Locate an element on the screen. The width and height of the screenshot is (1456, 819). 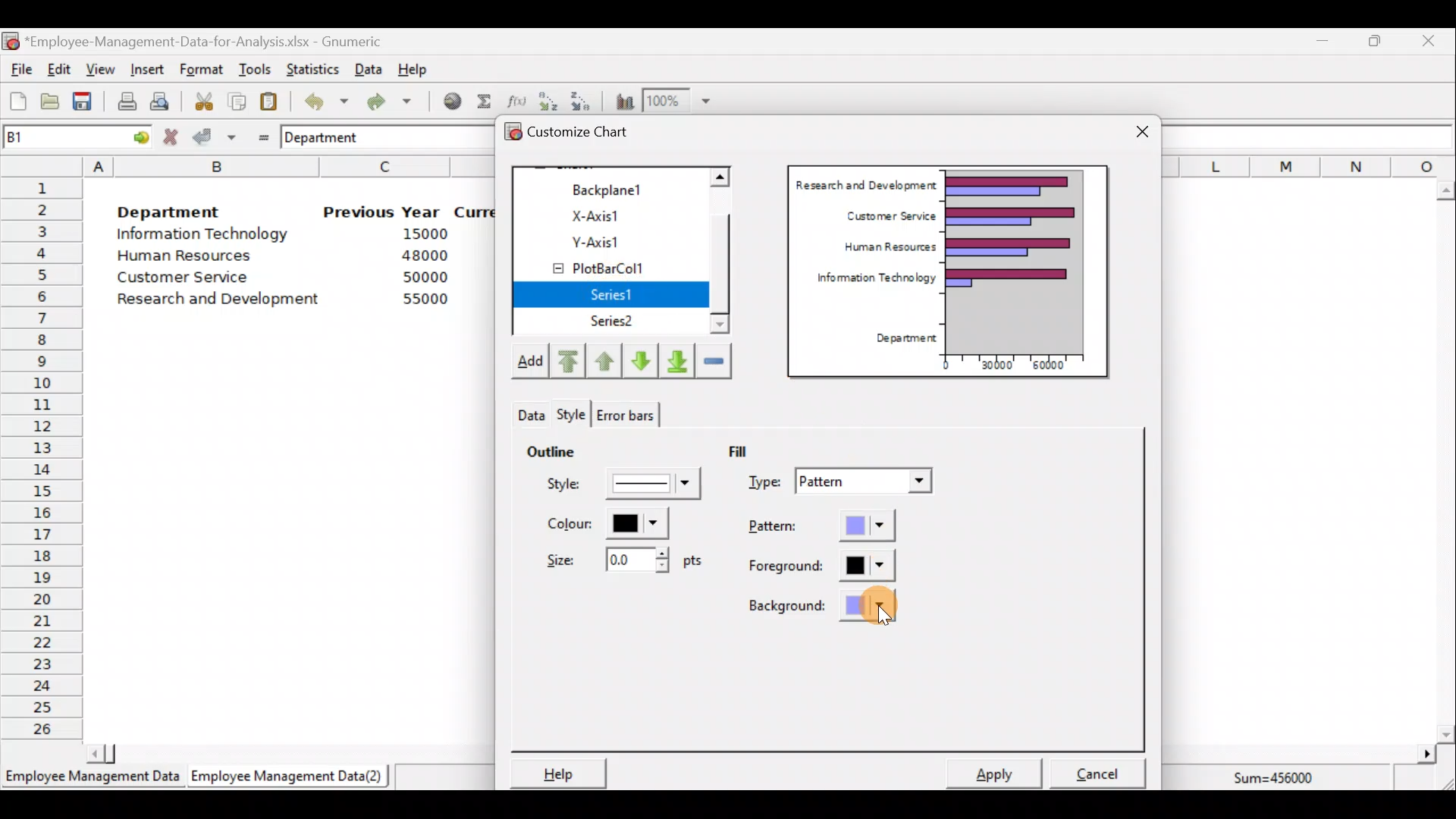
Move down is located at coordinates (640, 361).